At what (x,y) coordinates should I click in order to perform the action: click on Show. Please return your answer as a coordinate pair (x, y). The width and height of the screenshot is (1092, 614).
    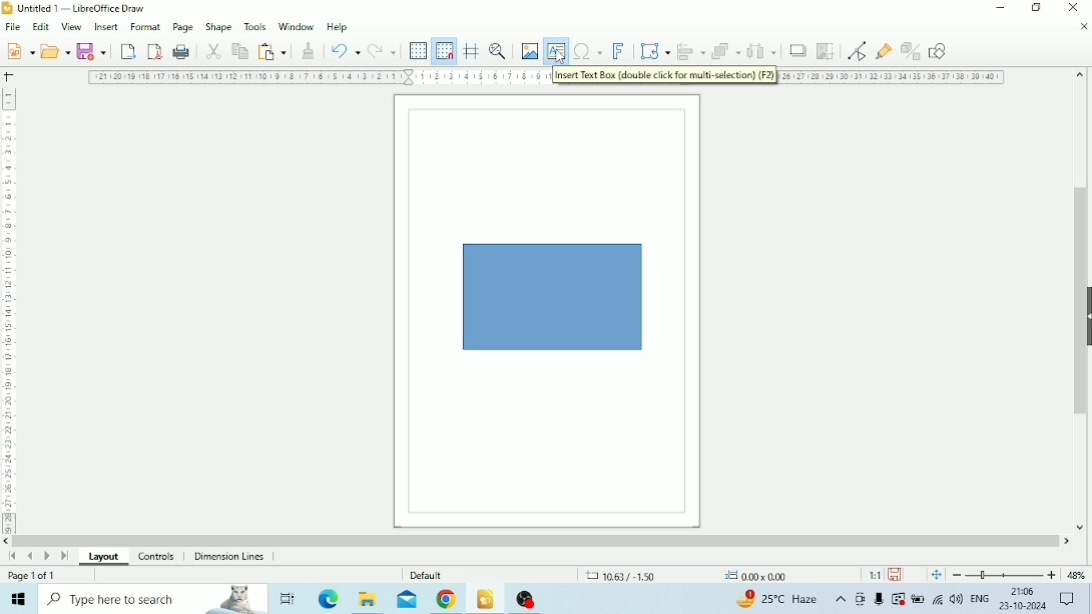
    Looking at the image, I should click on (1085, 314).